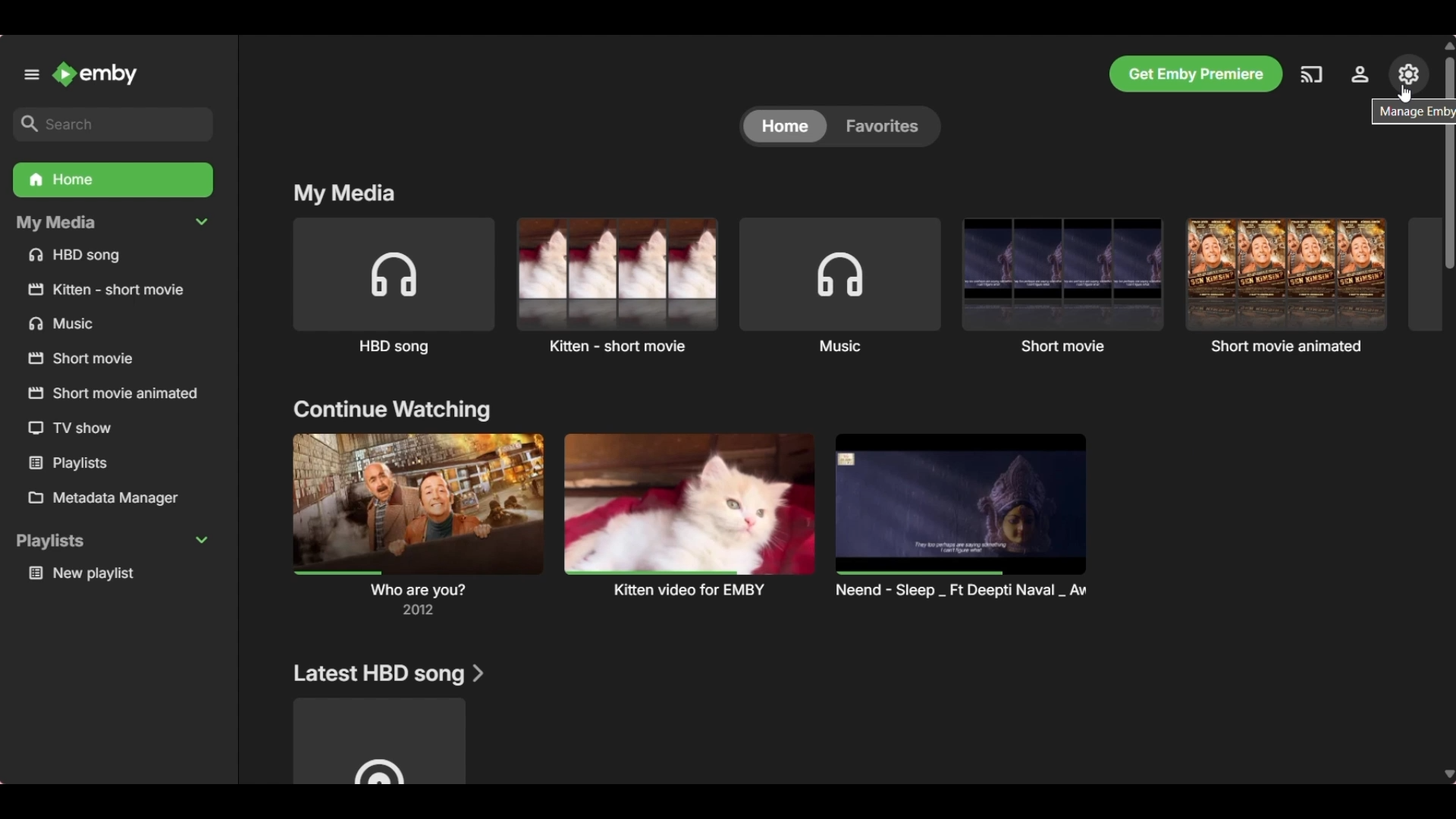 This screenshot has width=1456, height=819. I want to click on Media under above mentioned section, so click(379, 740).